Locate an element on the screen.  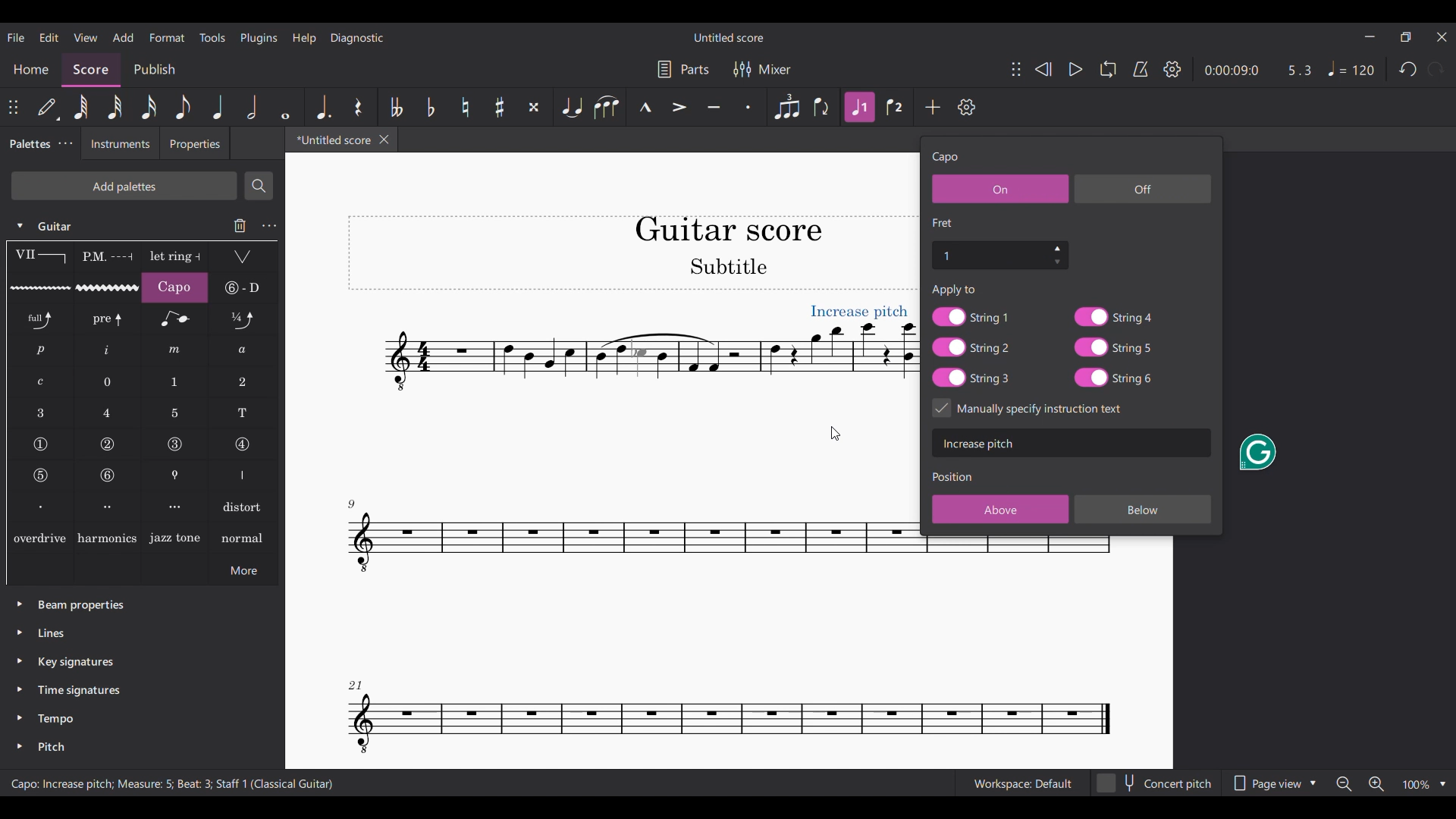
Delete is located at coordinates (240, 225).